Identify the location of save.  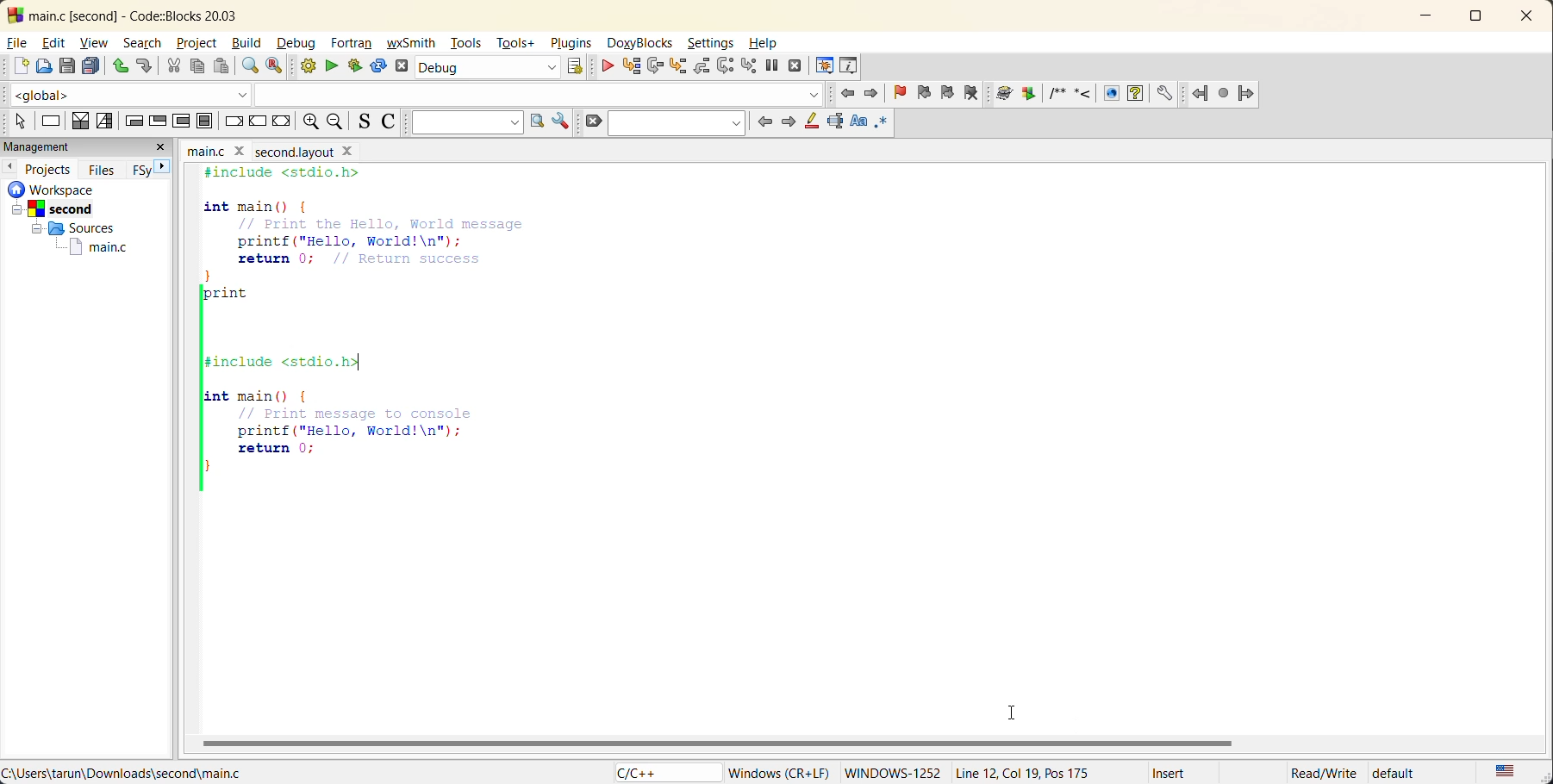
(68, 65).